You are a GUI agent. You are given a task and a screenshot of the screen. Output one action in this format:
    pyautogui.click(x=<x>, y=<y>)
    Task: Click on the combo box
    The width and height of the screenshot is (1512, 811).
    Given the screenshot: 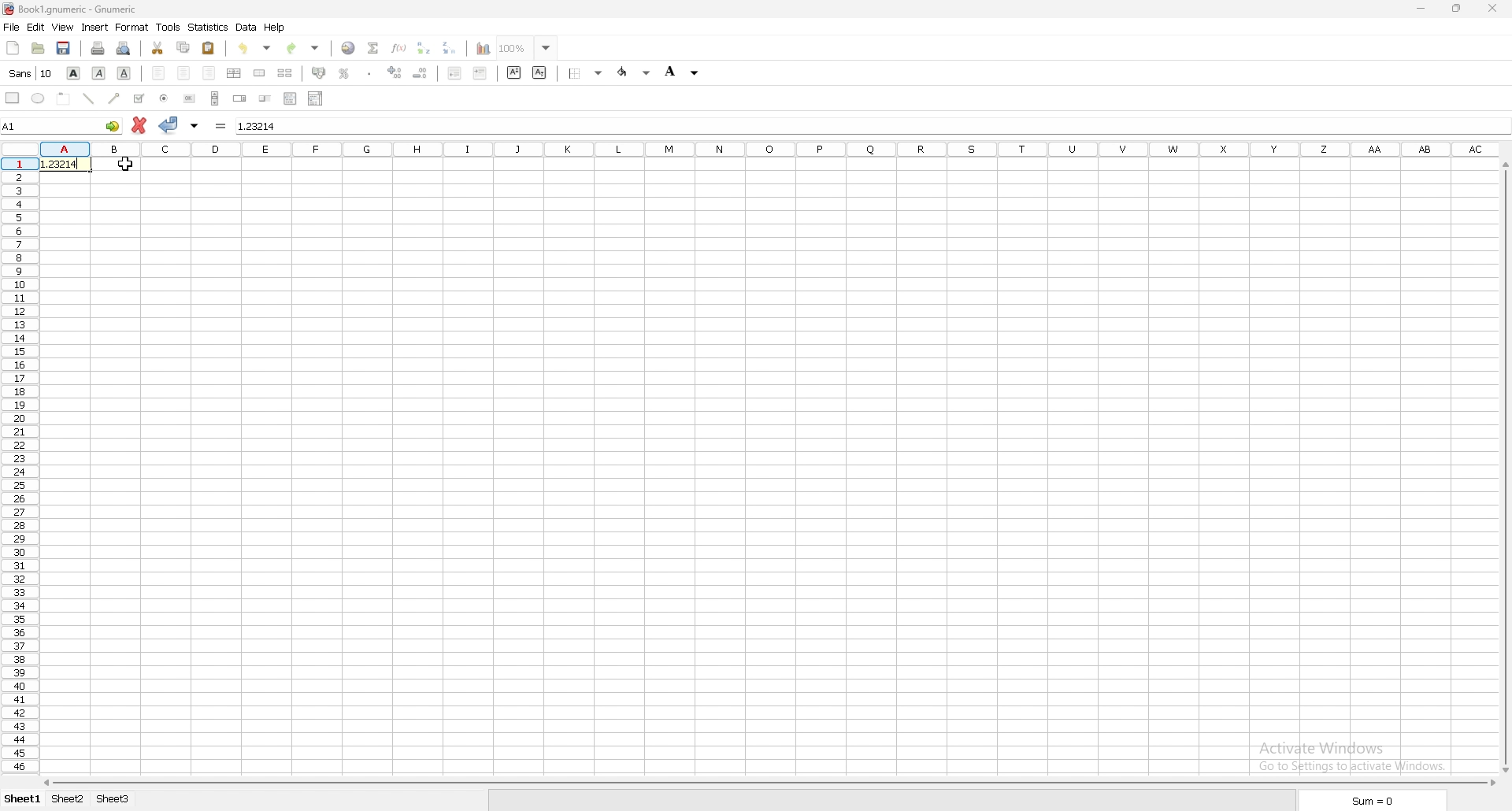 What is the action you would take?
    pyautogui.click(x=315, y=98)
    